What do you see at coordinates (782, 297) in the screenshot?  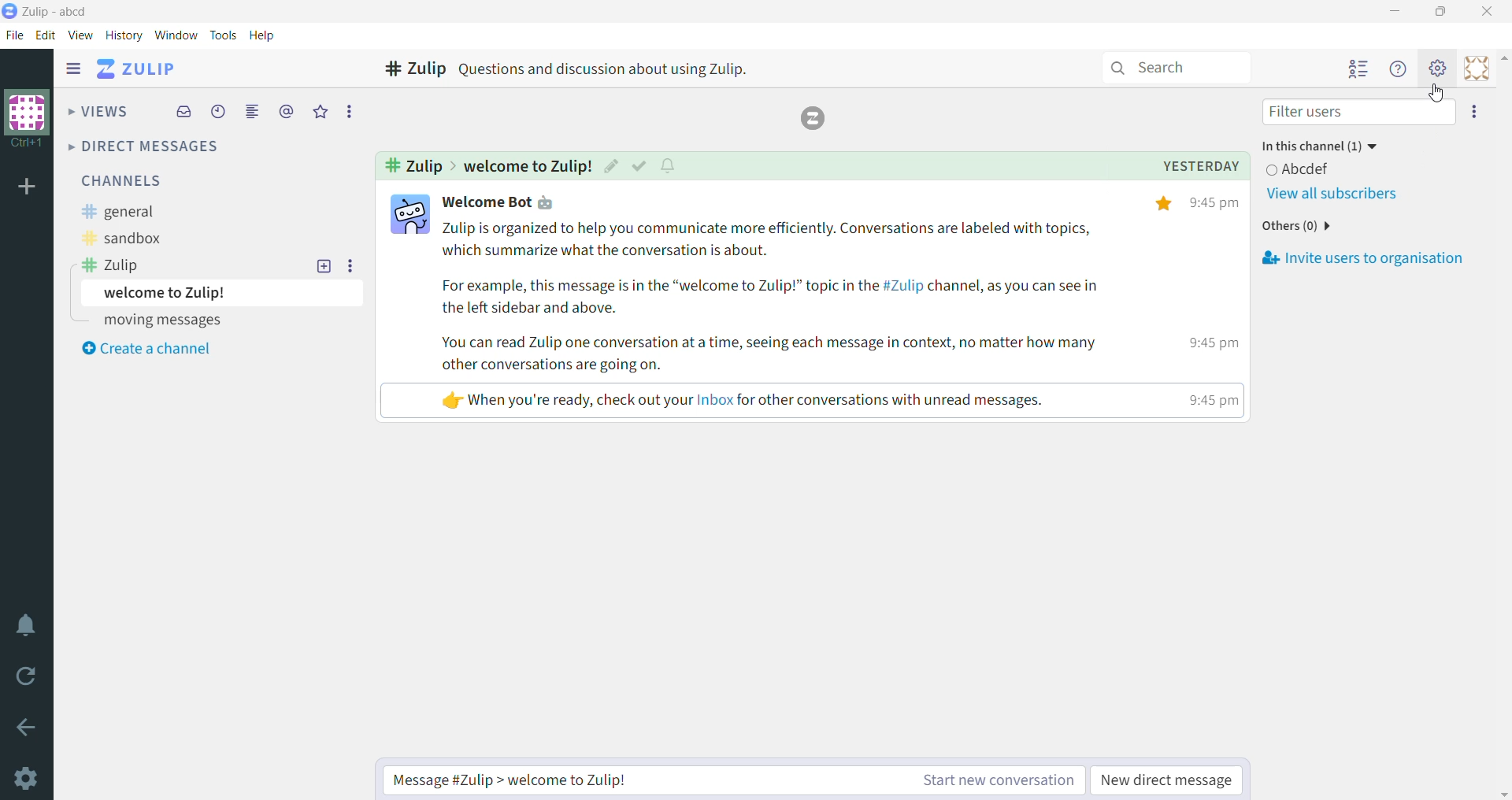 I see `Zulip is organized to help you communicate more efficiently. Conversations are labeled with topics,
which summarize what the conversation is about.
For example, this message is in the “welcome to Zulip!” topic in the #Zulip channel, as you can see in
the left sidebar and above.
You can read Zulip one conversation at a time, seeing each message in context, no matter how many
other conversations are going on.` at bounding box center [782, 297].